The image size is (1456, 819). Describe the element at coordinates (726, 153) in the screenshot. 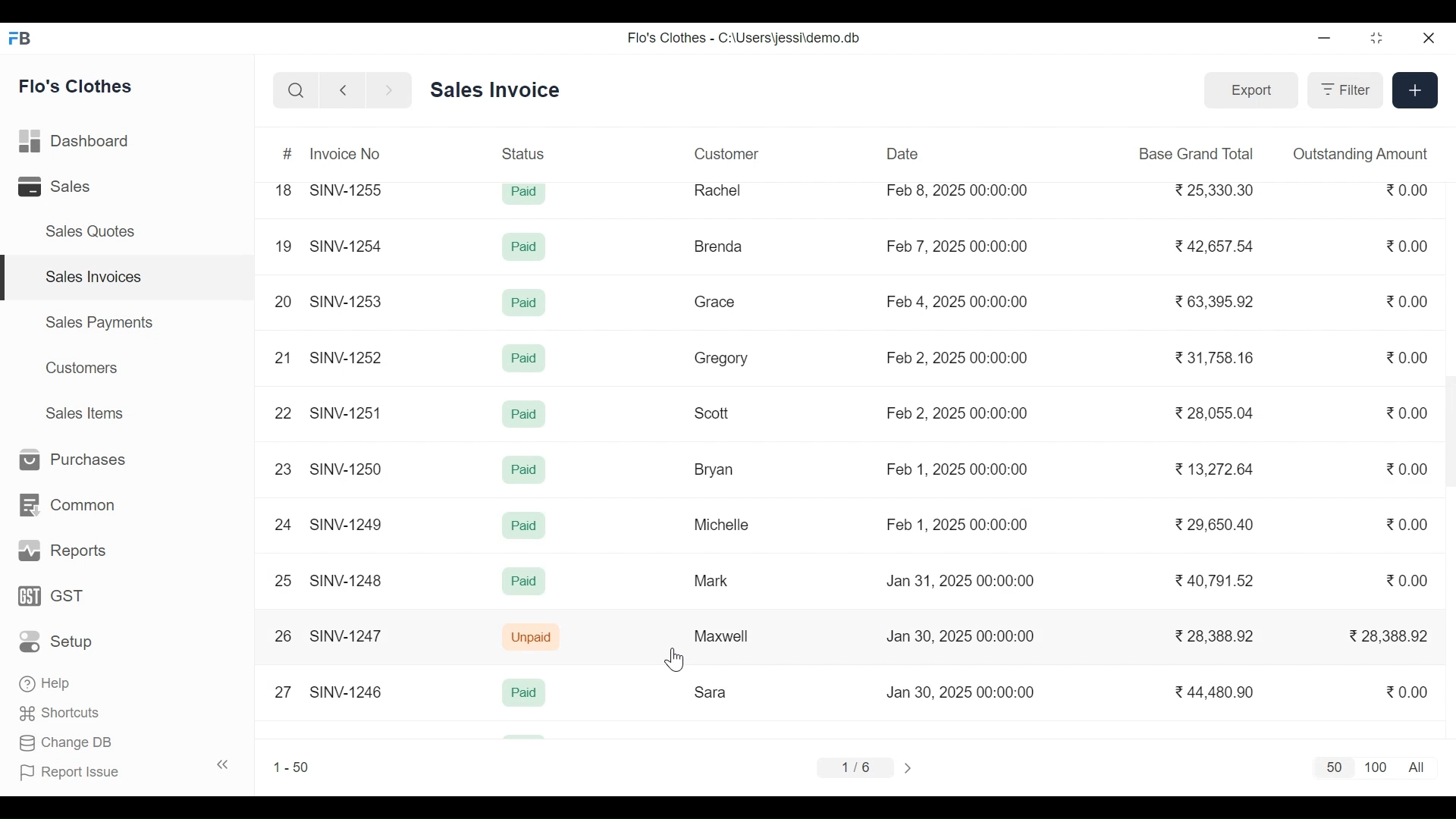

I see `Customer` at that location.